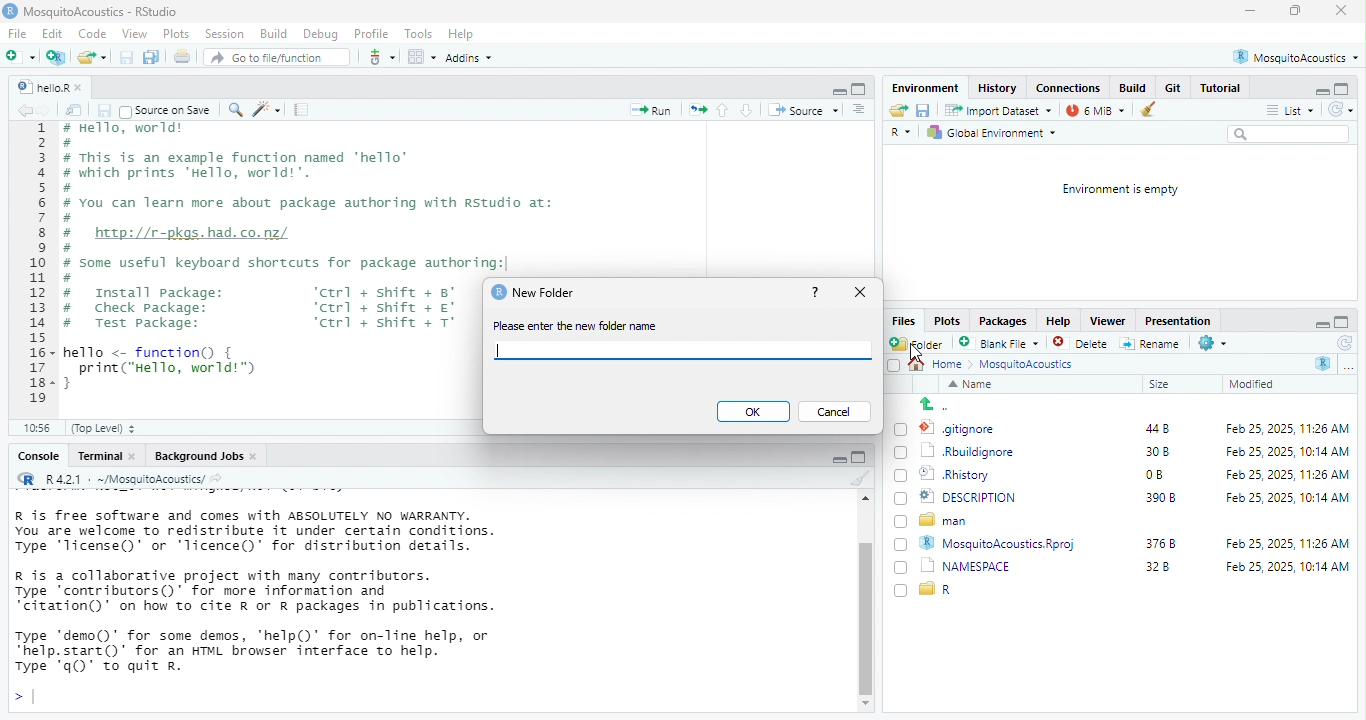 This screenshot has height=720, width=1366. I want to click on print the current file, so click(183, 57).